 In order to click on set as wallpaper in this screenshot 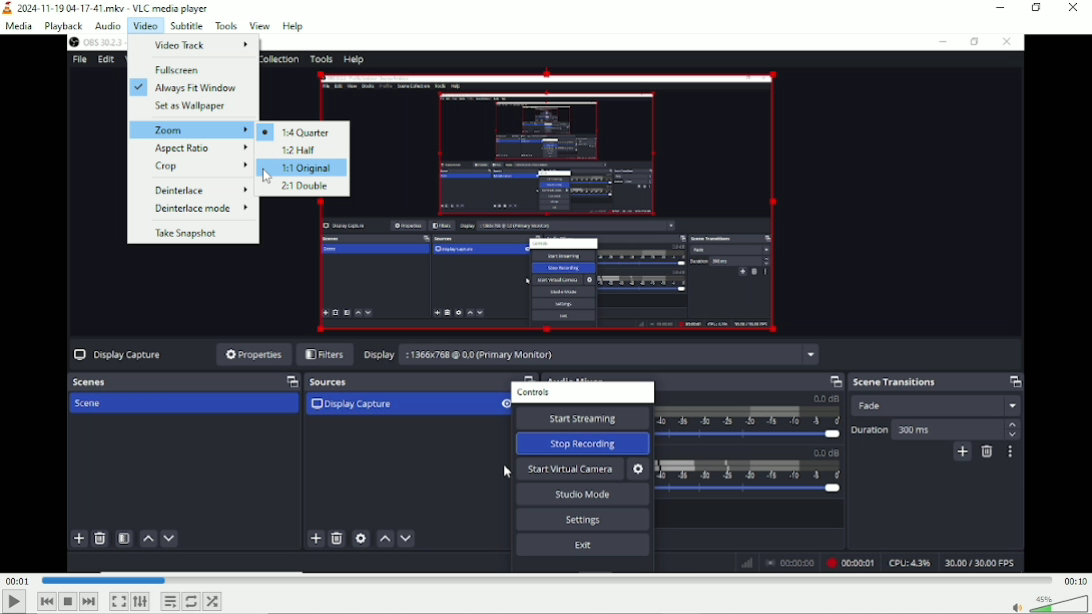, I will do `click(192, 106)`.